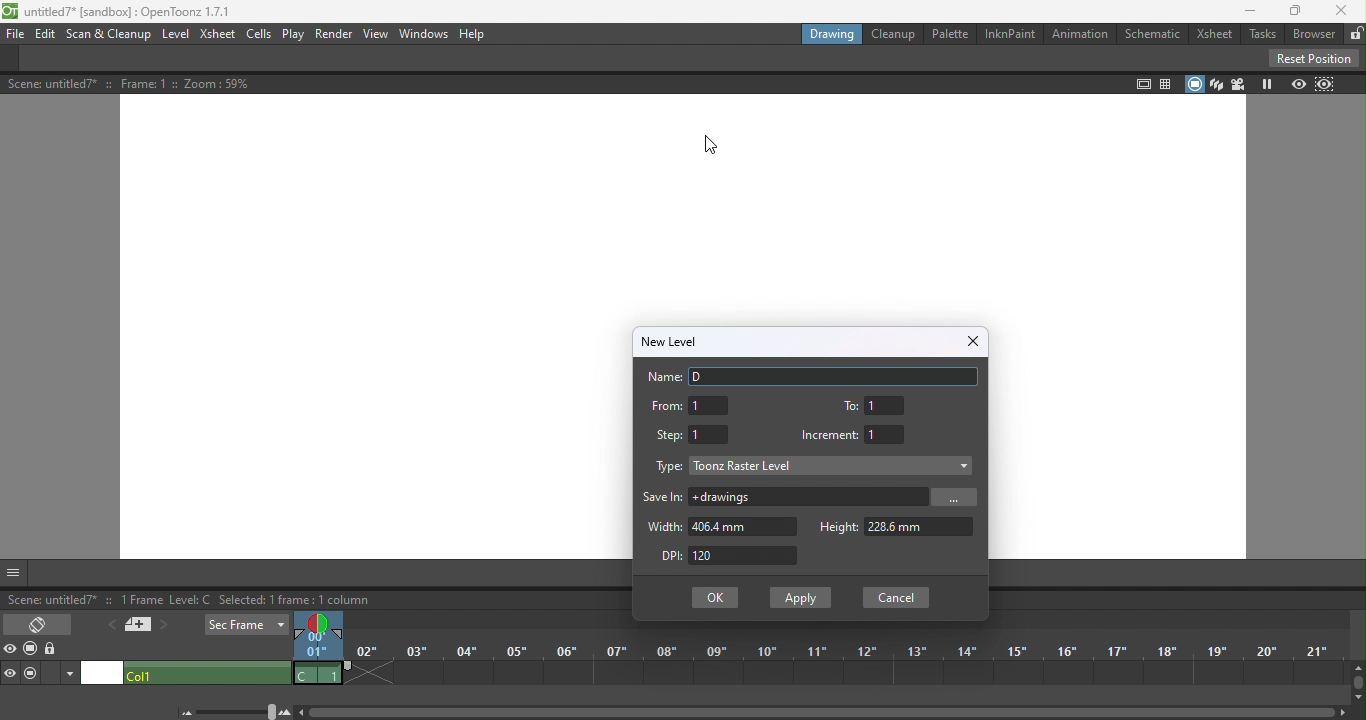 This screenshot has width=1366, height=720. I want to click on Previous memo, so click(109, 625).